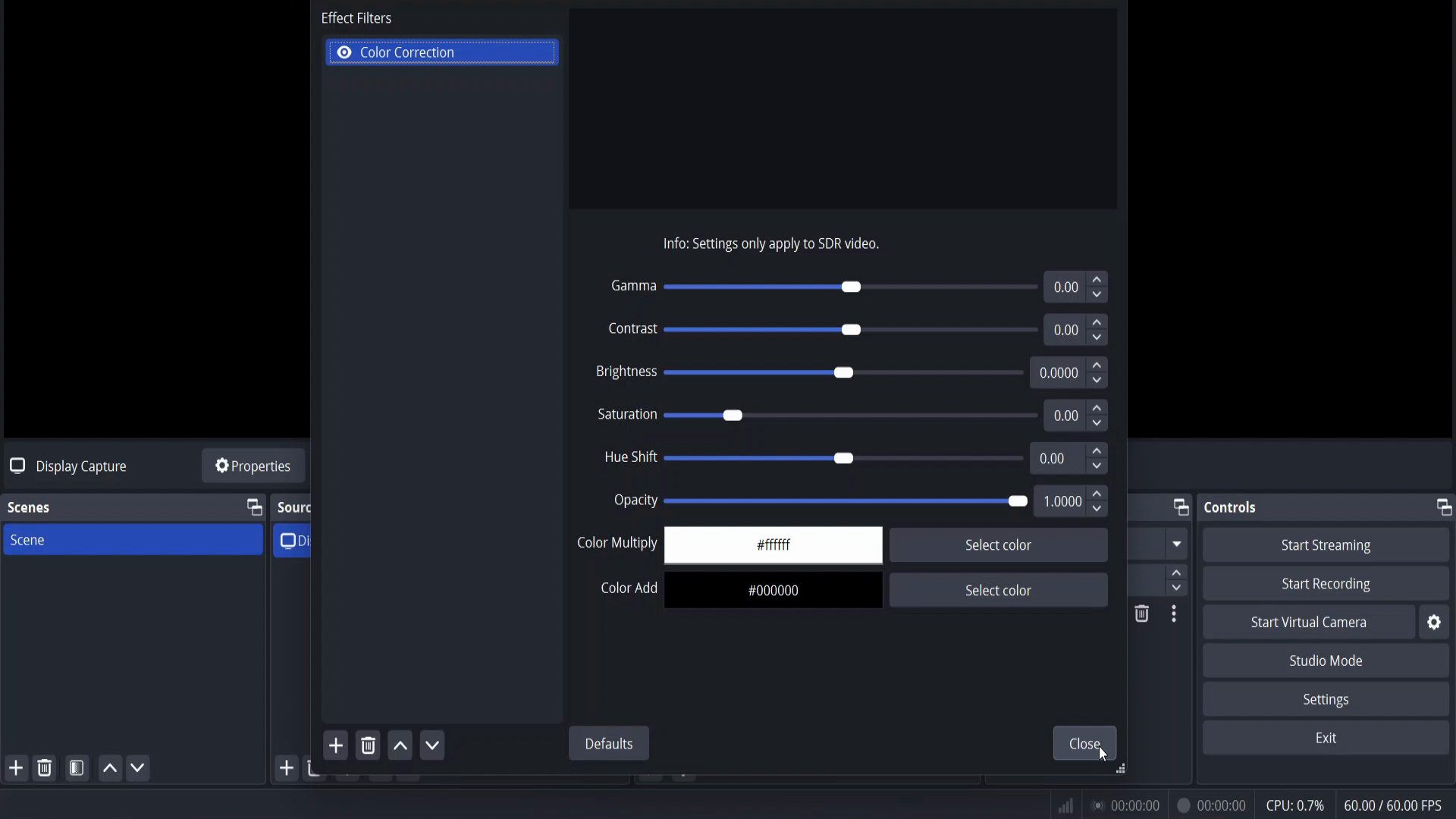 Image resolution: width=1456 pixels, height=819 pixels. I want to click on controls, so click(1234, 507).